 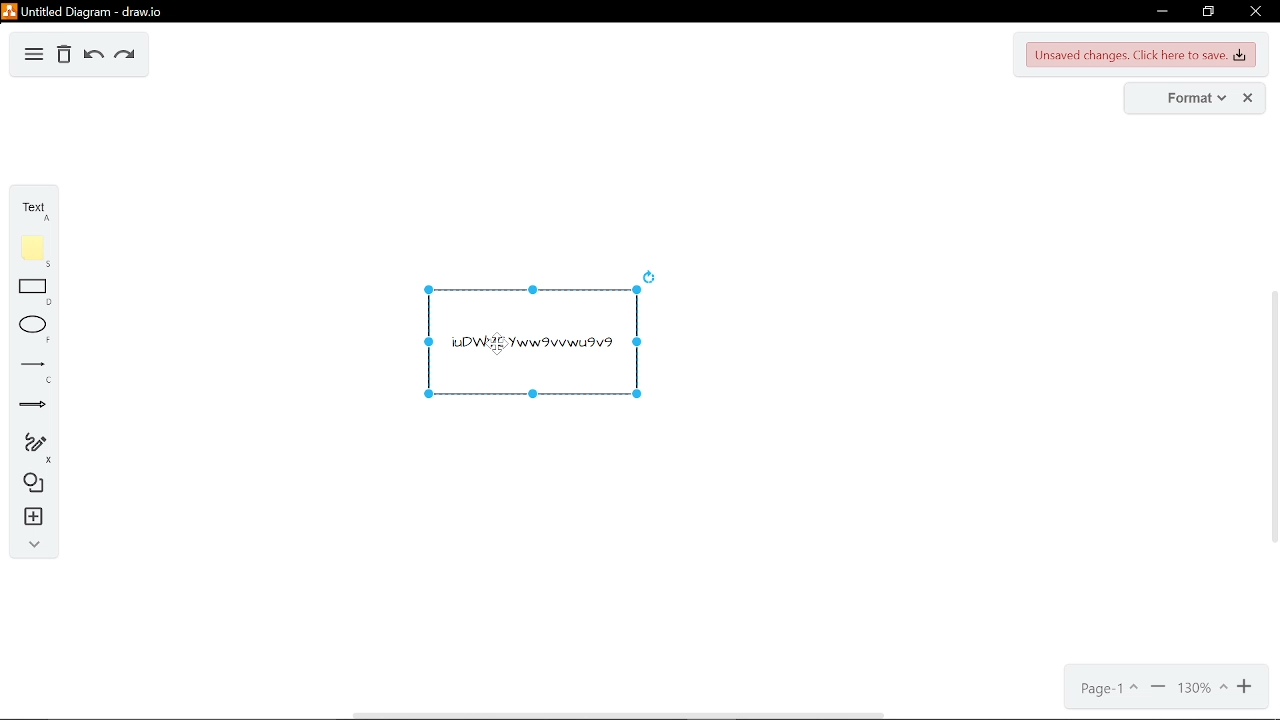 What do you see at coordinates (1138, 55) in the screenshot?
I see `Unsaved changes. Click here to save changes` at bounding box center [1138, 55].